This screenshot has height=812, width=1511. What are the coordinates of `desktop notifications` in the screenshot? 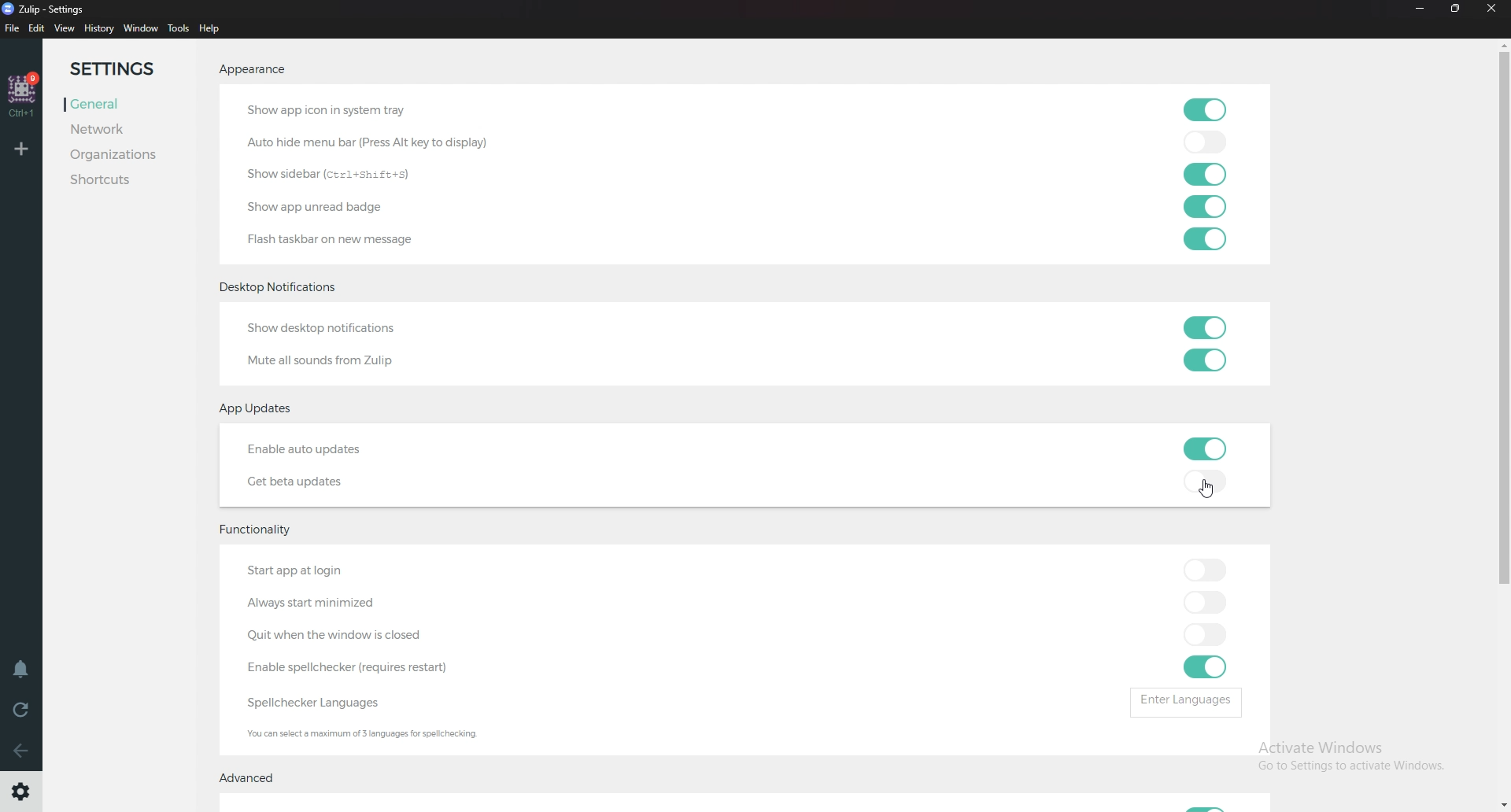 It's located at (289, 286).